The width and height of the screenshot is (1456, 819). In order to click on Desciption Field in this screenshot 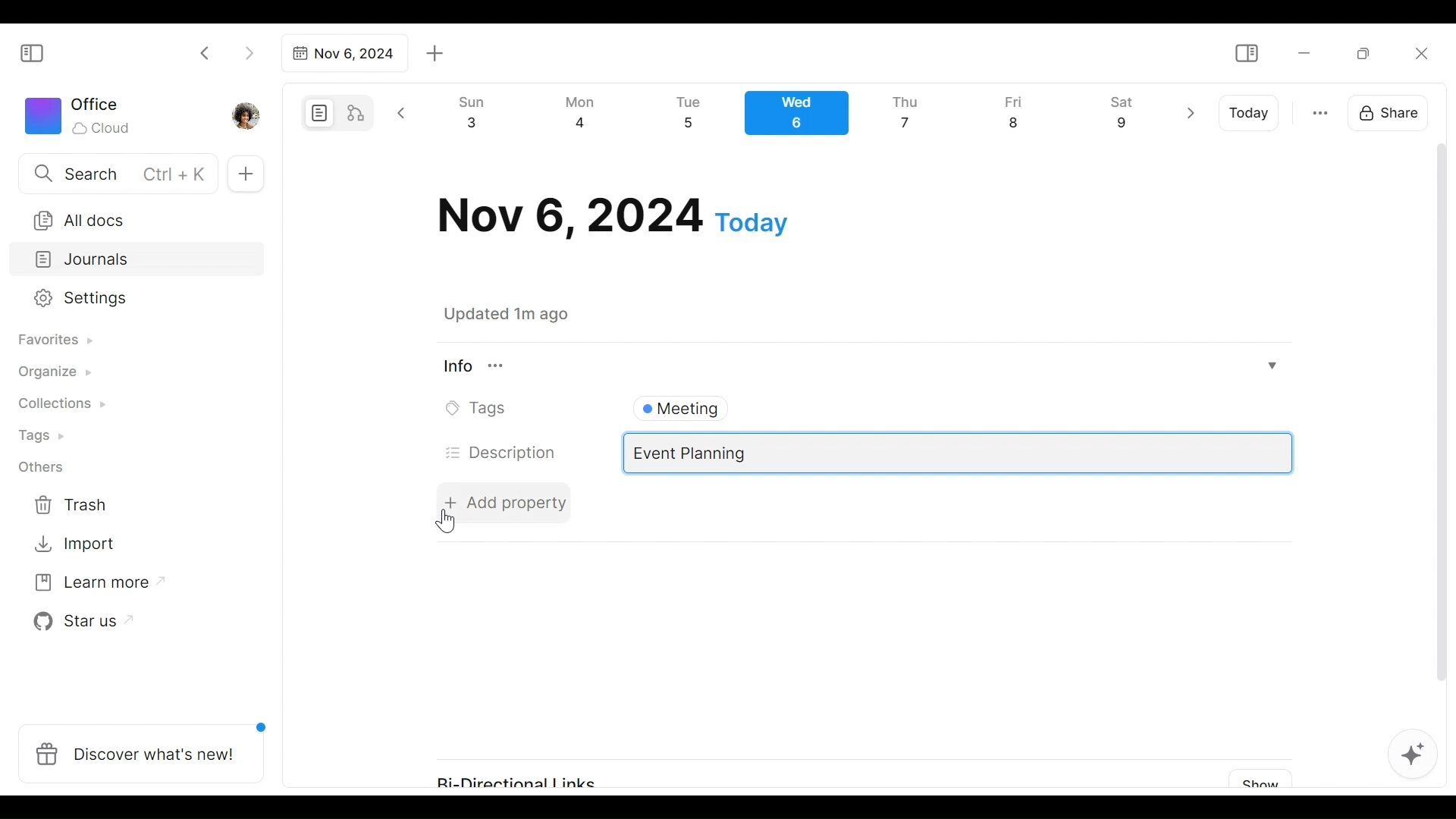, I will do `click(959, 453)`.